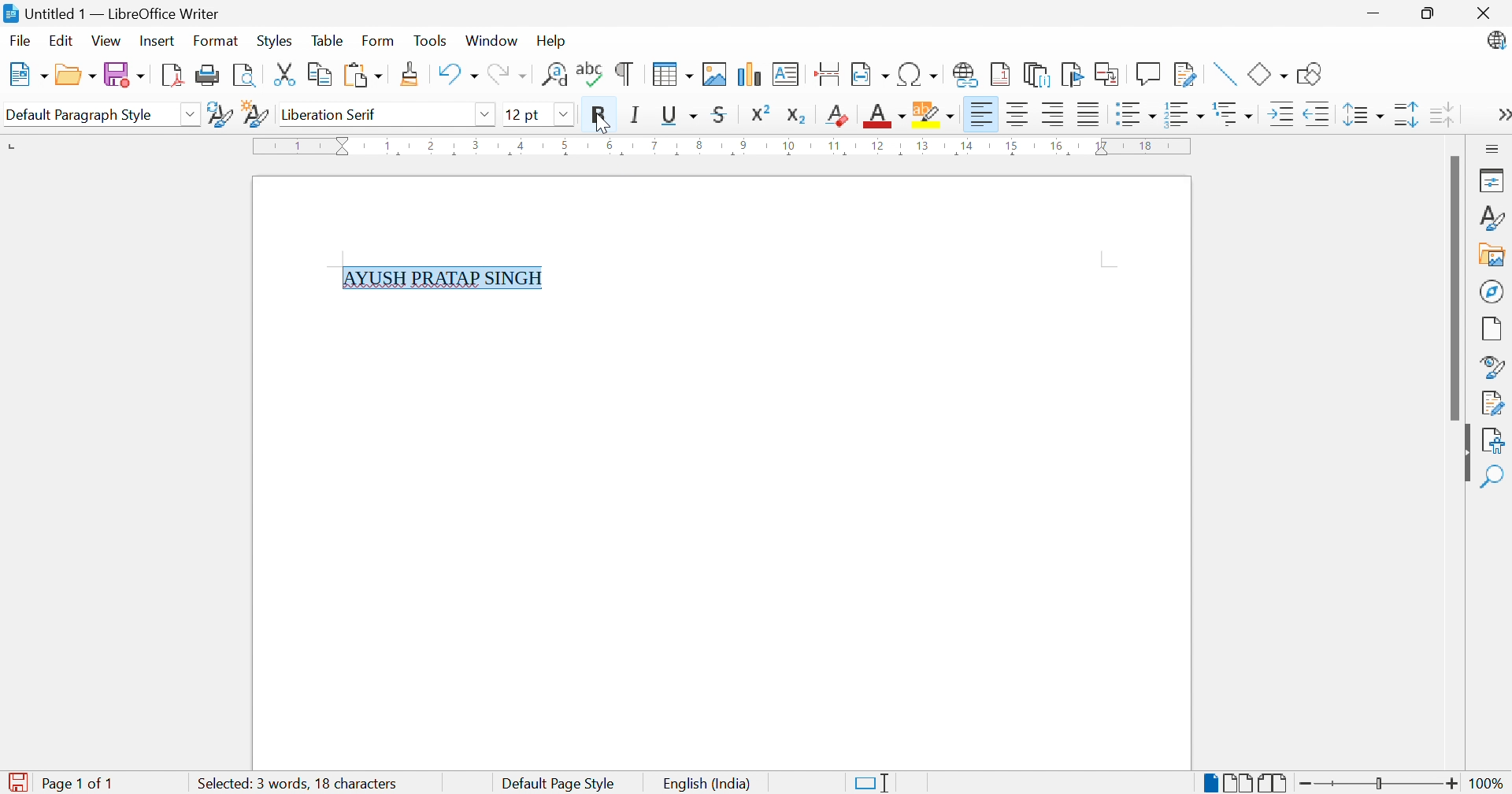  Describe the element at coordinates (554, 74) in the screenshot. I see `Find and Replace` at that location.